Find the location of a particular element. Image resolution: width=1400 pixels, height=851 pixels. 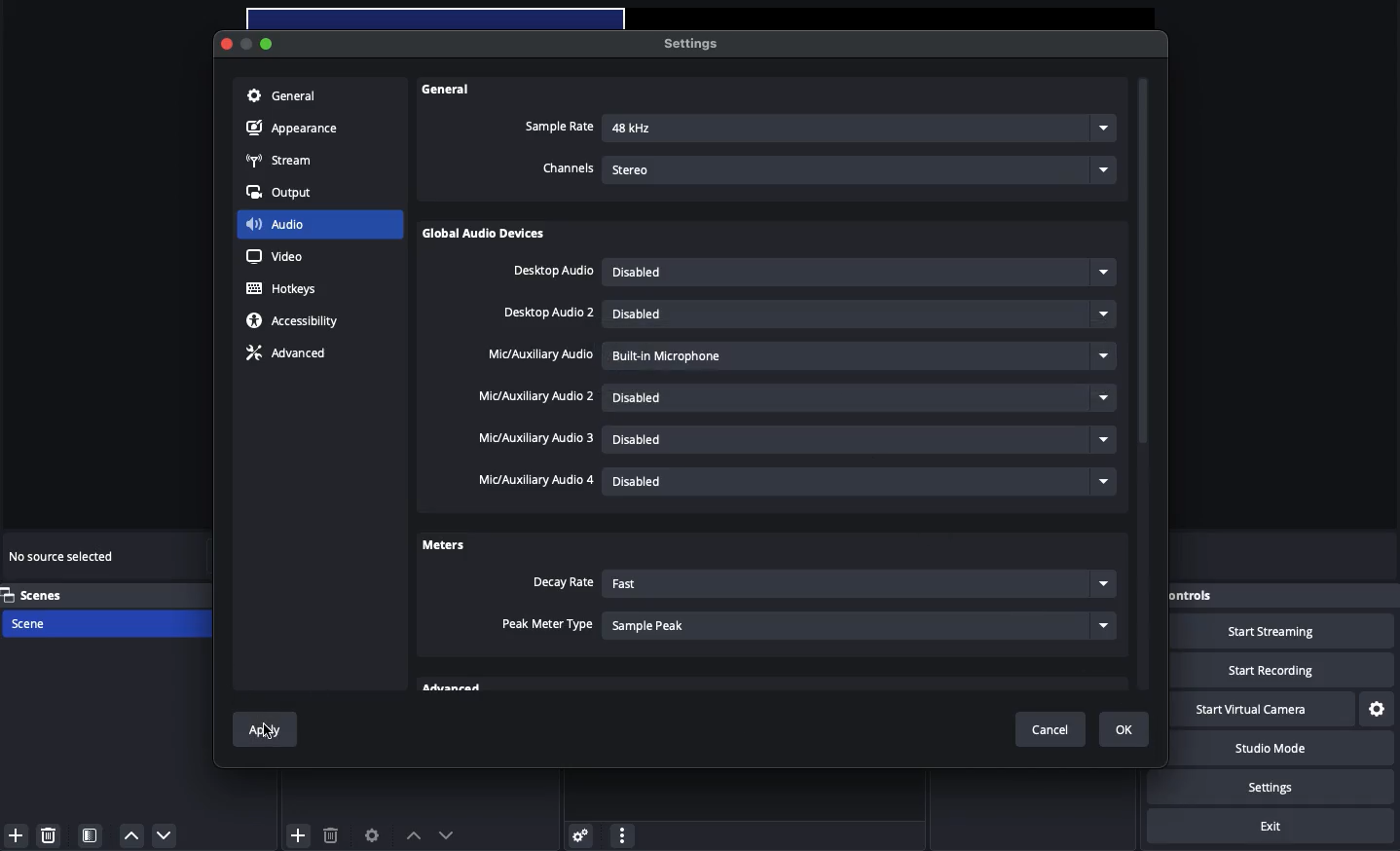

Accessibility  is located at coordinates (296, 321).